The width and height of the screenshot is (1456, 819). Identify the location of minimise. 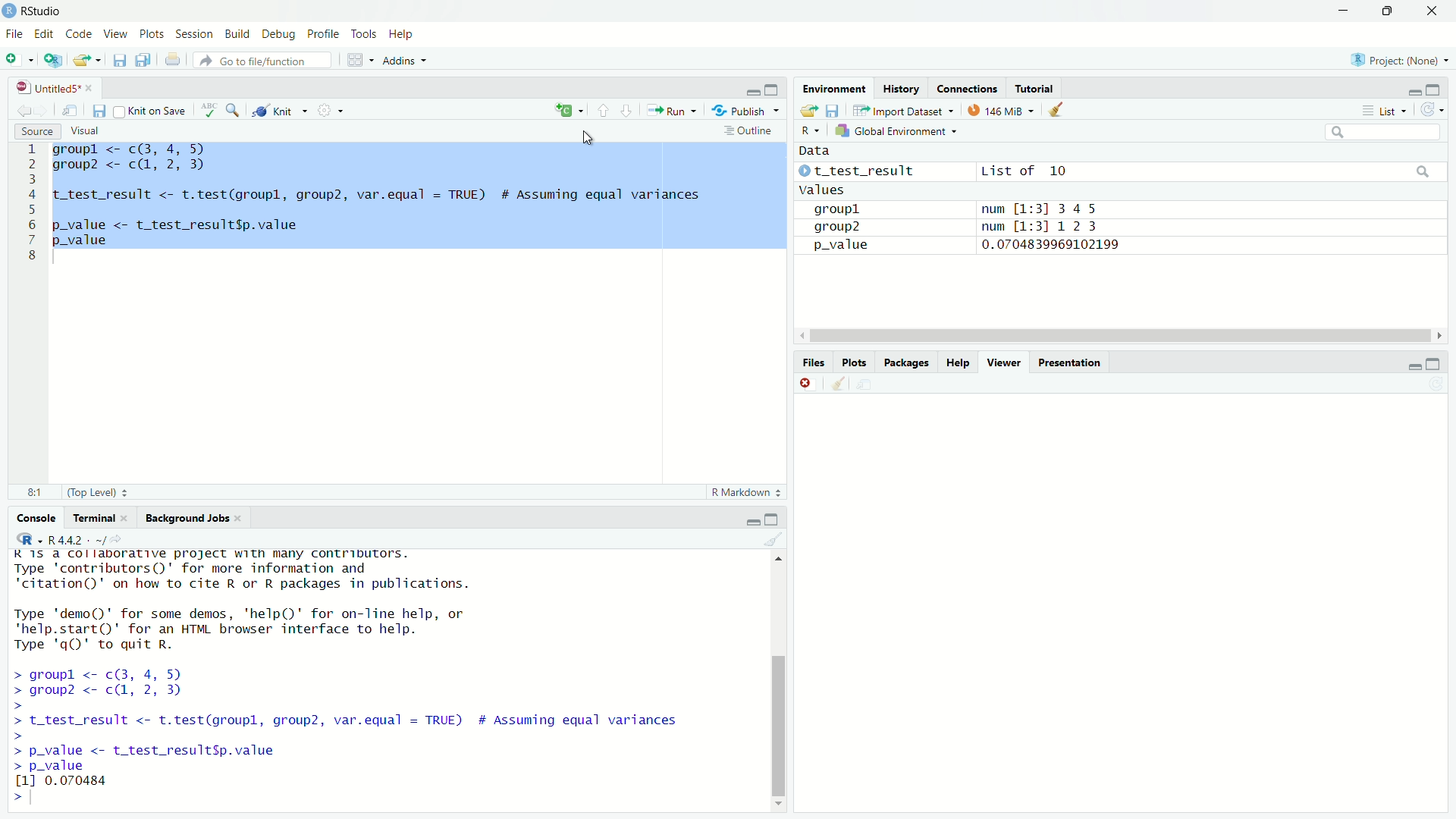
(753, 91).